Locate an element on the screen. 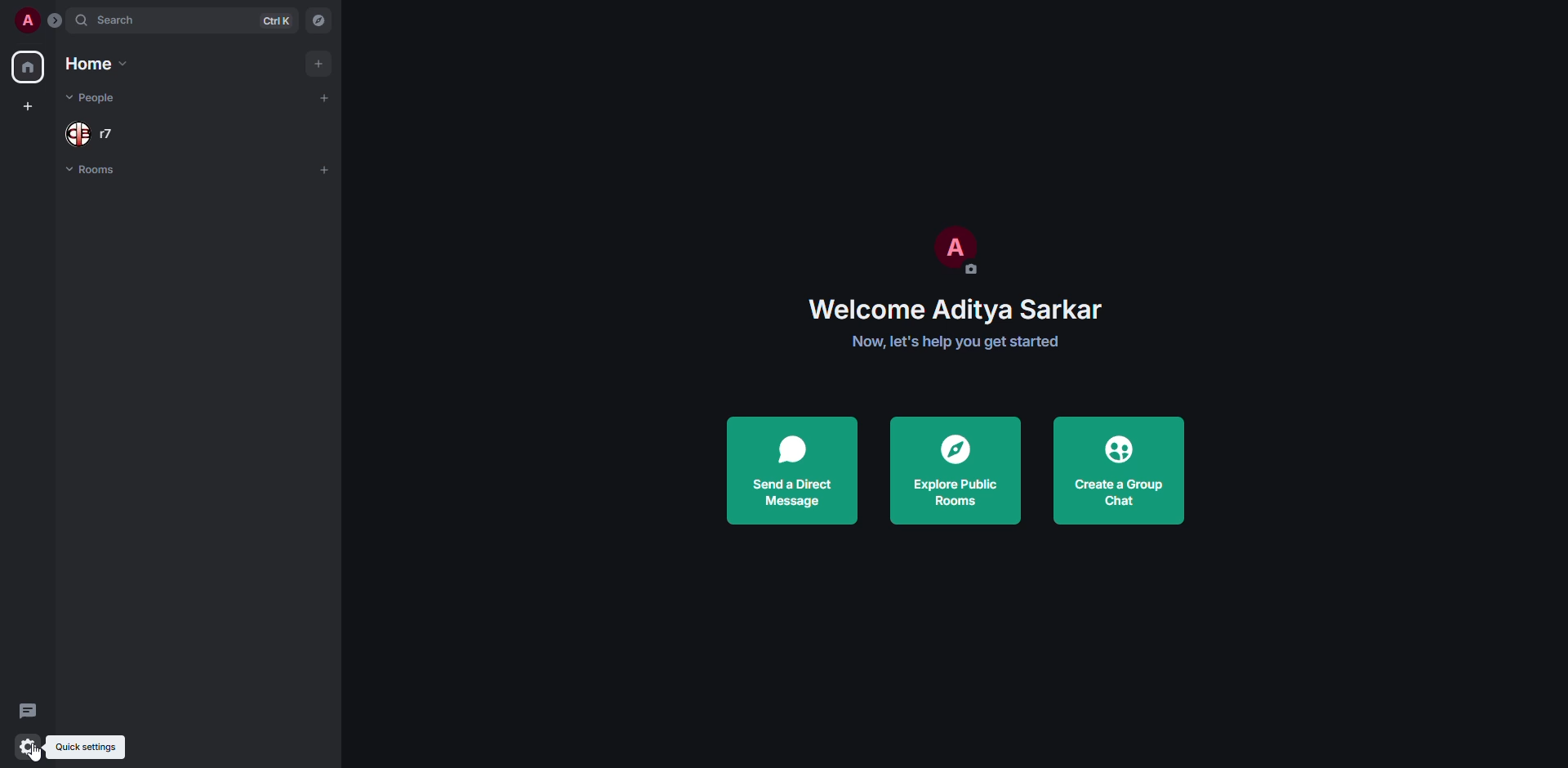 This screenshot has width=1568, height=768. profile pic is located at coordinates (954, 251).